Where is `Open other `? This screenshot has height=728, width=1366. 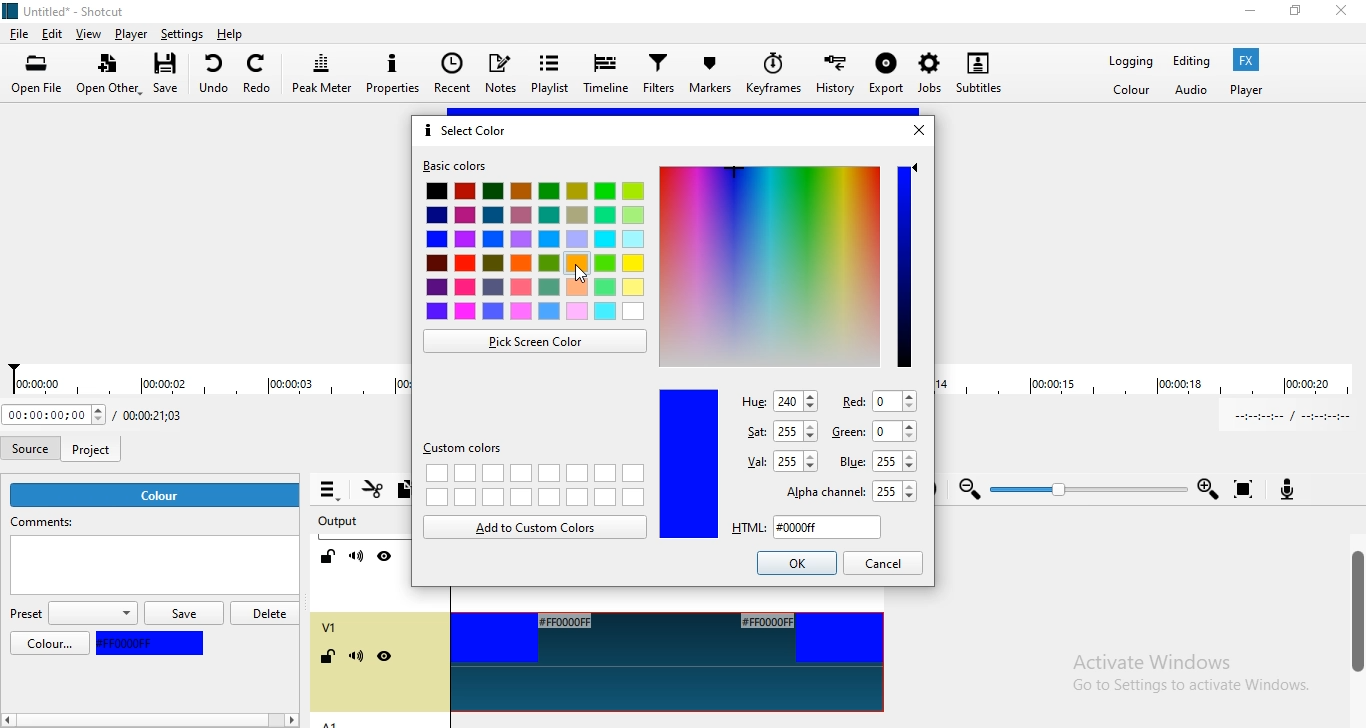 Open other  is located at coordinates (106, 75).